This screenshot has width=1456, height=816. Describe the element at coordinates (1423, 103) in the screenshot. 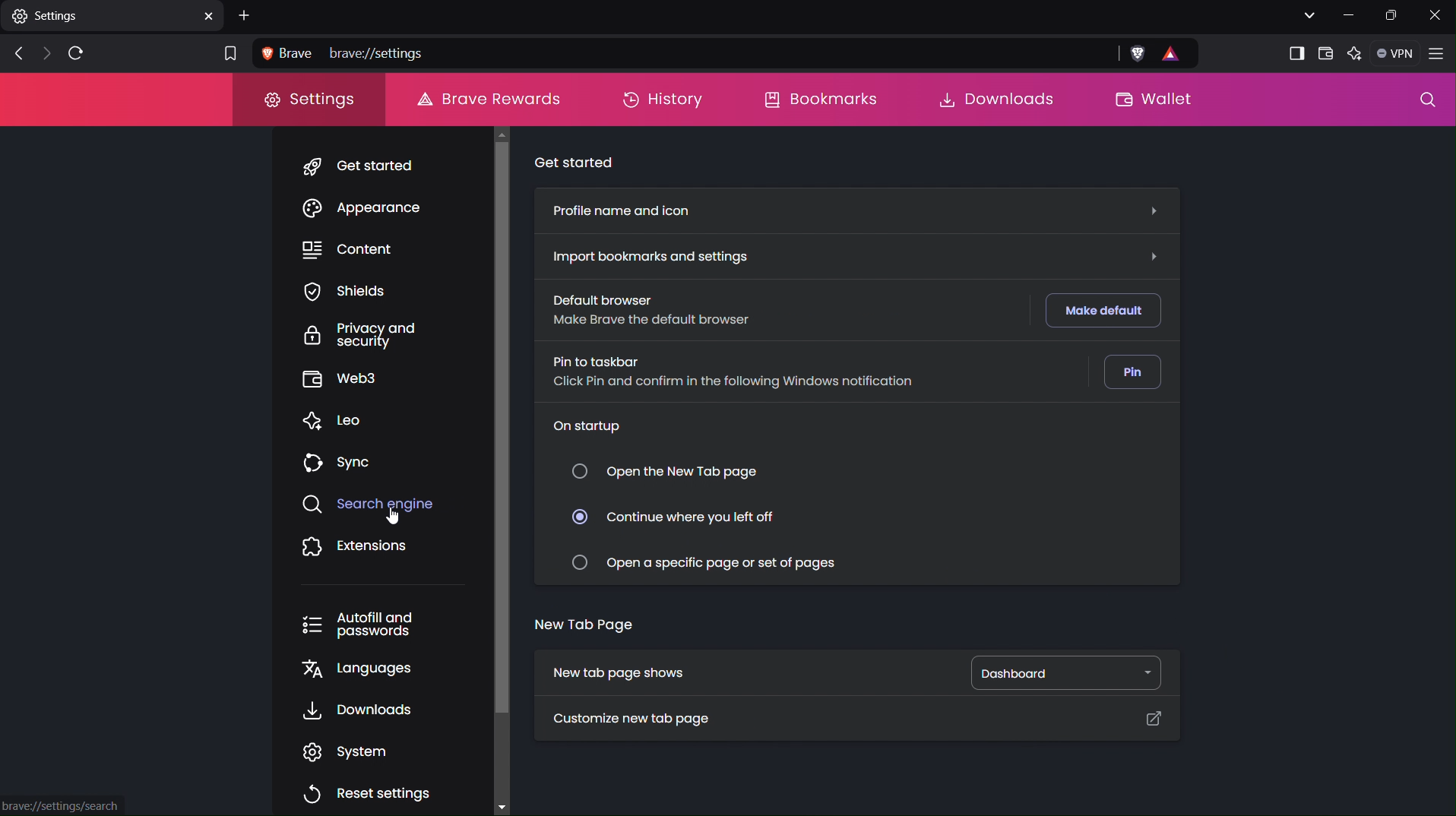

I see `Search` at that location.